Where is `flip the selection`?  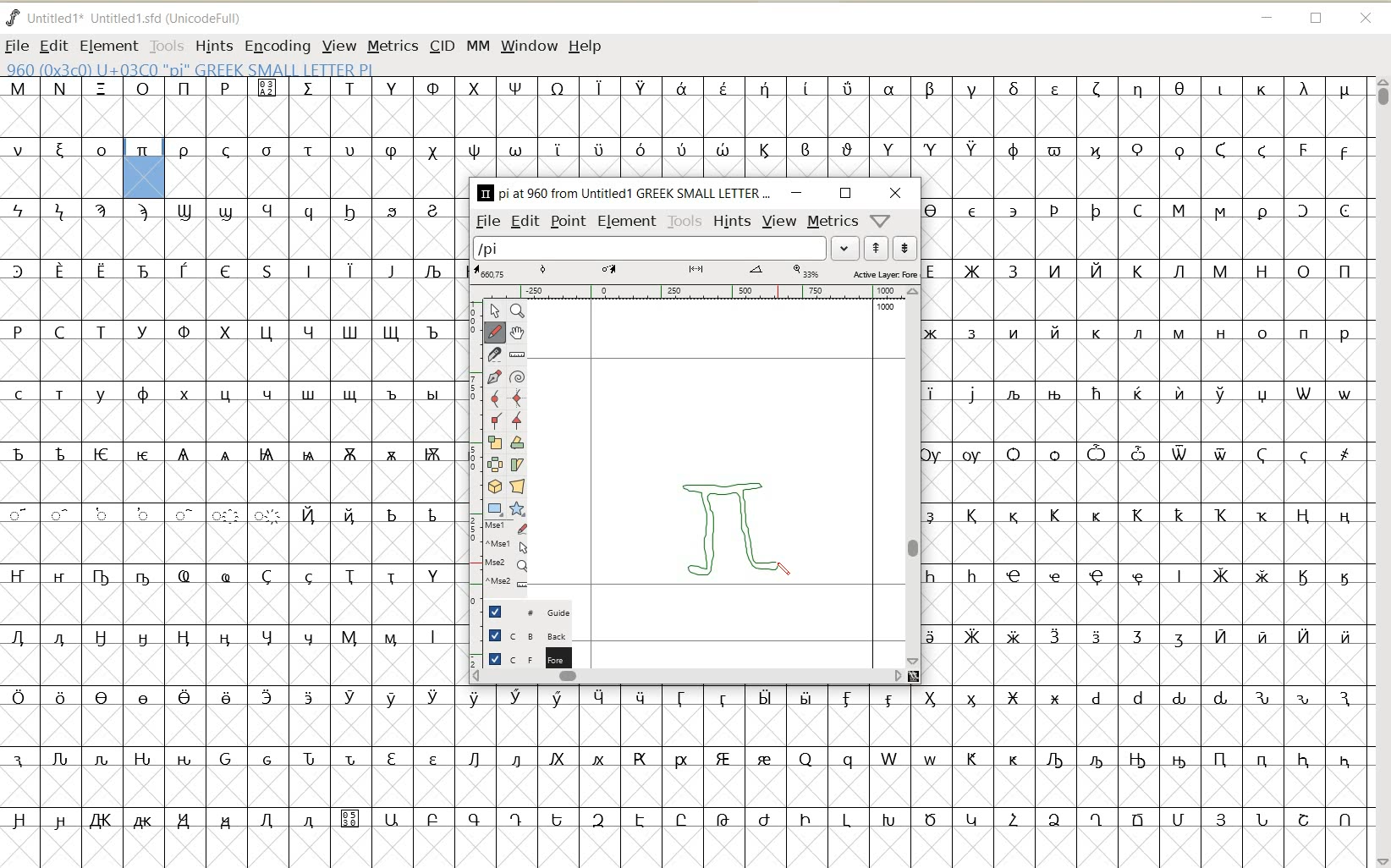
flip the selection is located at coordinates (492, 464).